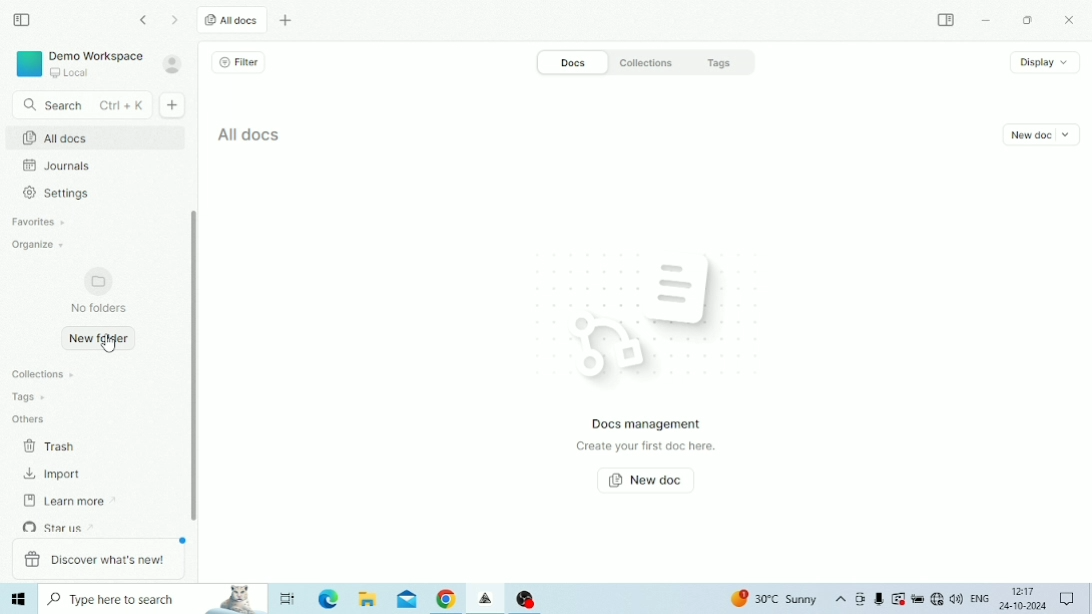 This screenshot has height=614, width=1092. I want to click on Language, so click(979, 597).